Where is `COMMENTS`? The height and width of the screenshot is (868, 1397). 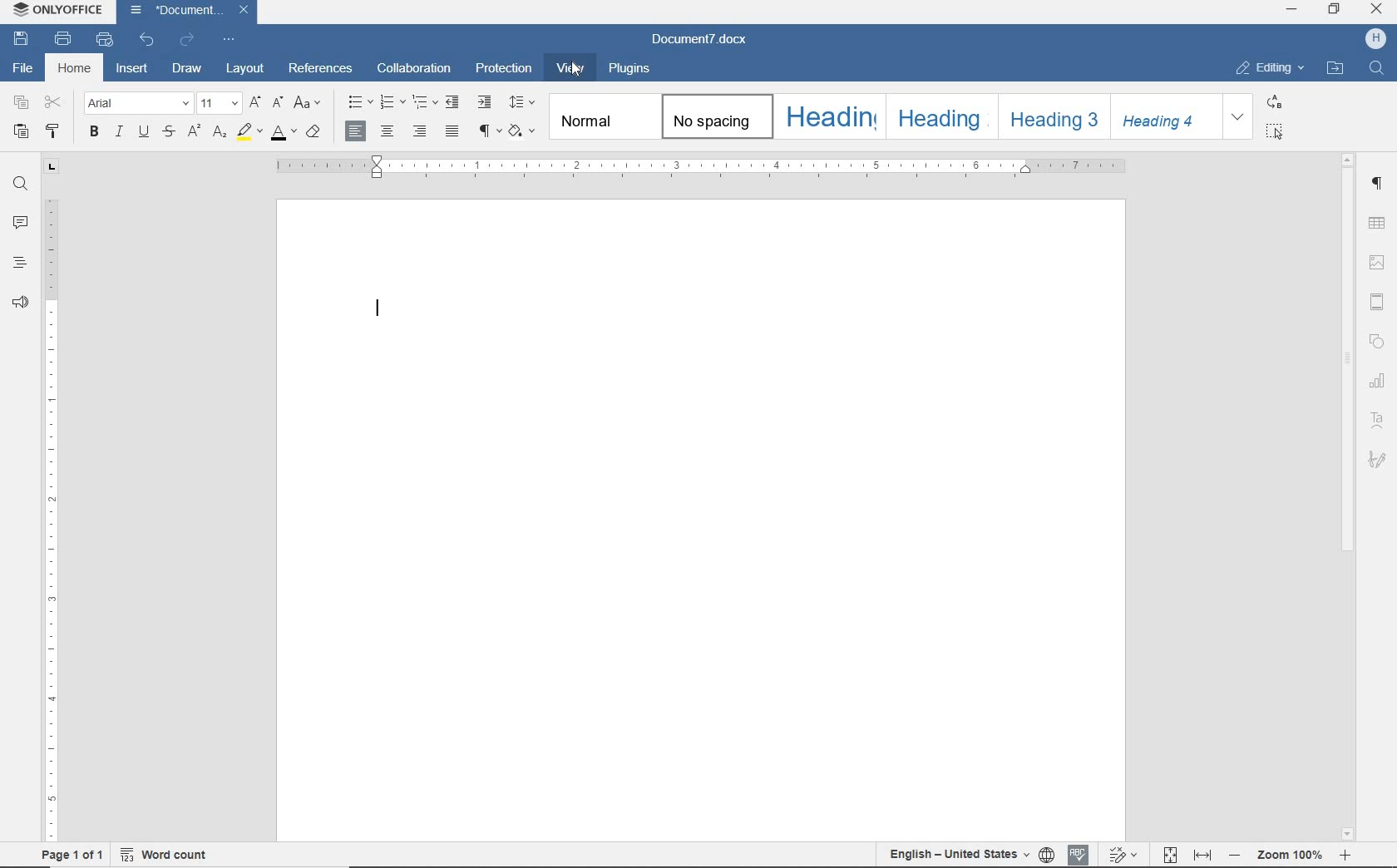 COMMENTS is located at coordinates (19, 221).